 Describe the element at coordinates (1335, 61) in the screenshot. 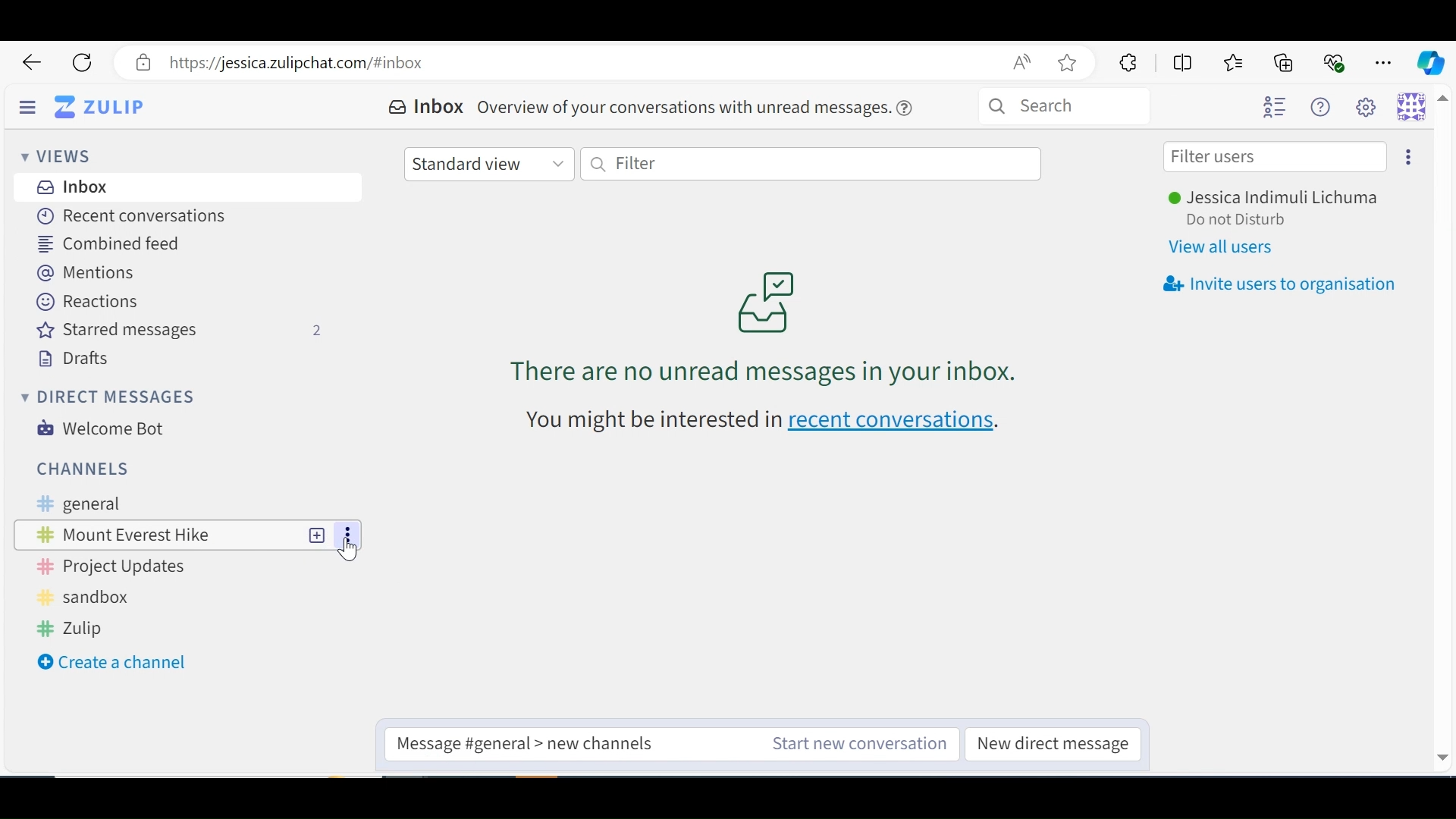

I see `Browser essentials` at that location.